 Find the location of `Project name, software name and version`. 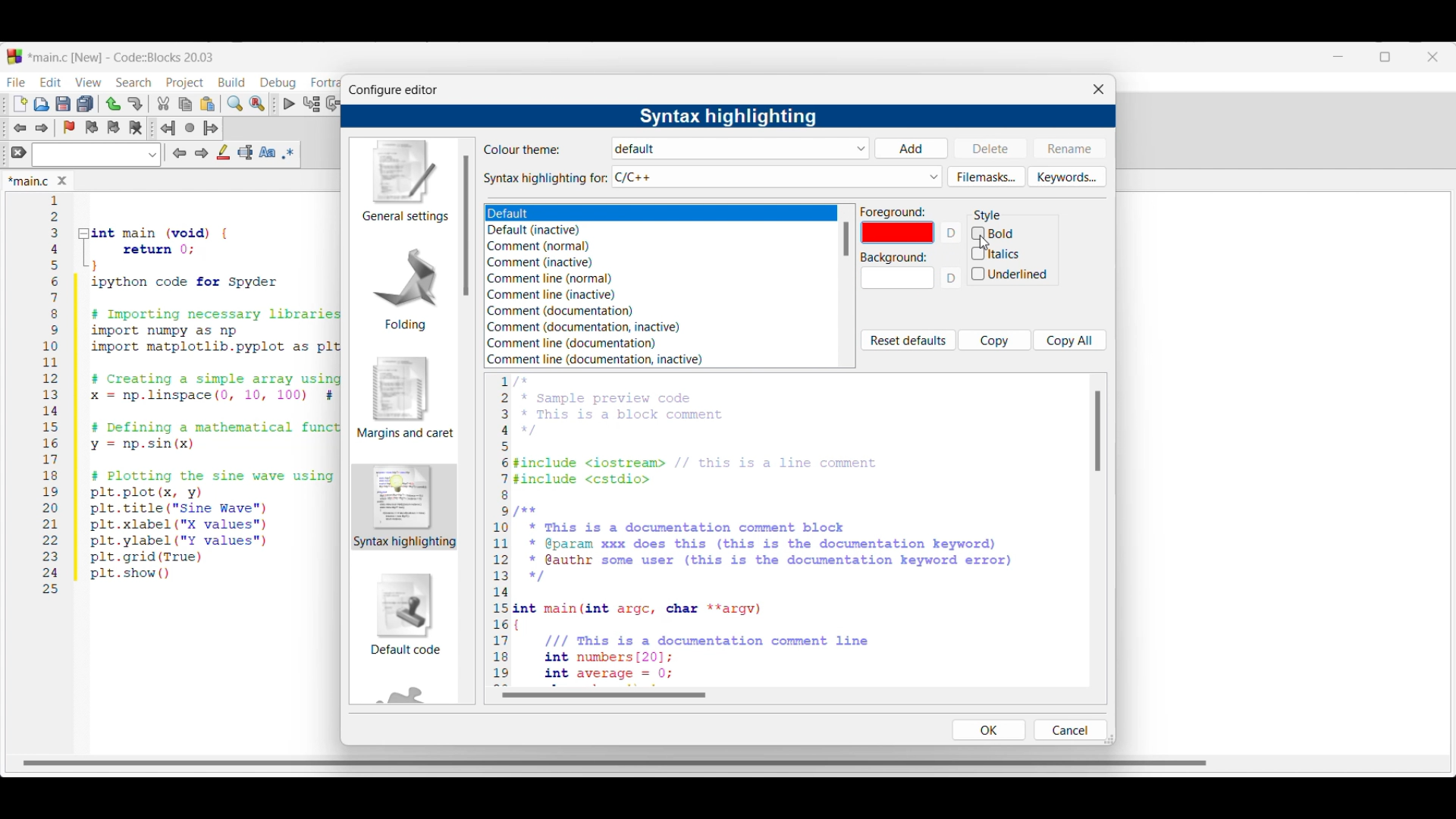

Project name, software name and version is located at coordinates (124, 57).